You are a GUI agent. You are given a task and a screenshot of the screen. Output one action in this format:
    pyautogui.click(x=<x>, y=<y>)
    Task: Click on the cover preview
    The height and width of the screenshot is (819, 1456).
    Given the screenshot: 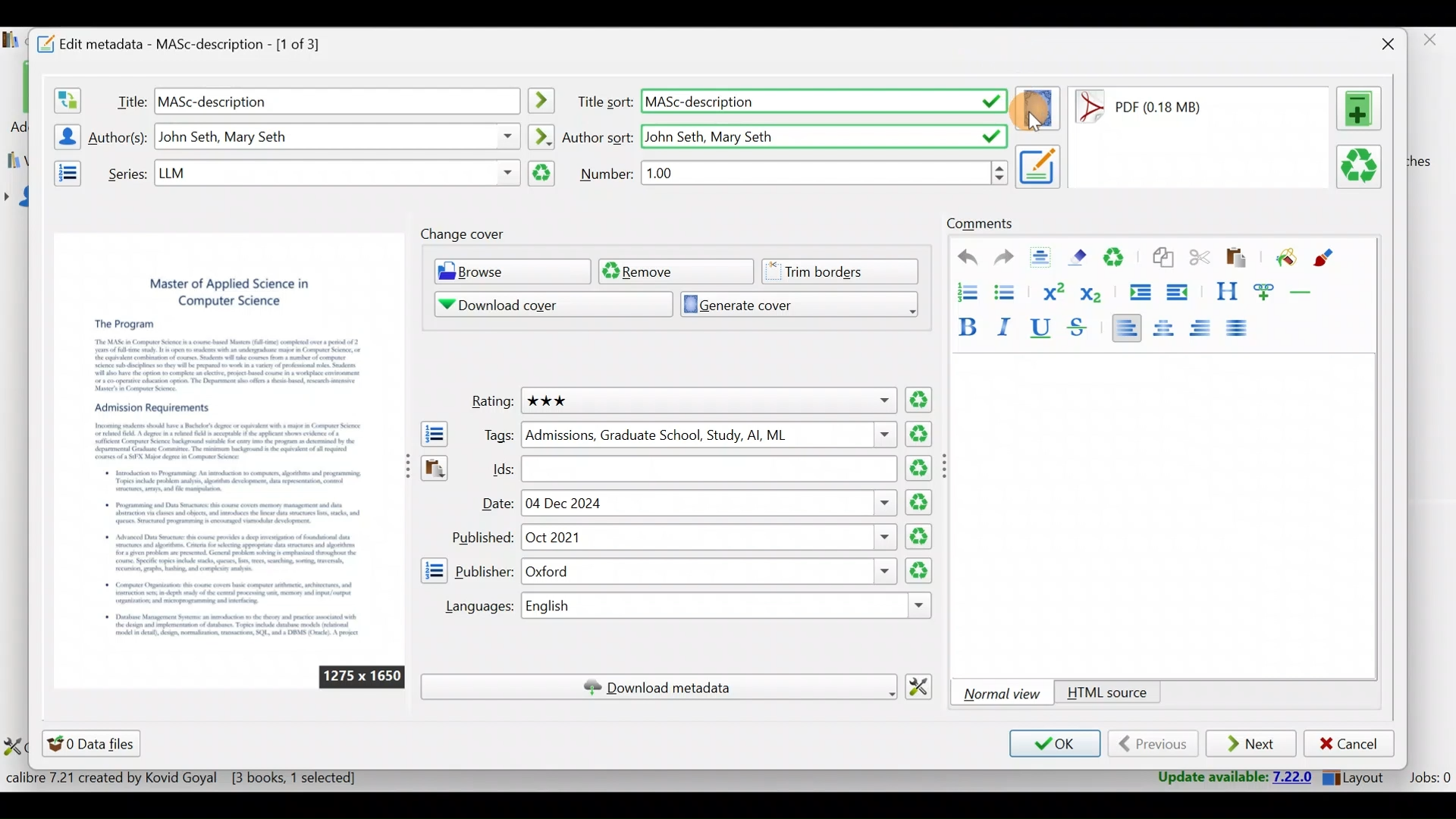 What is the action you would take?
    pyautogui.click(x=228, y=438)
    